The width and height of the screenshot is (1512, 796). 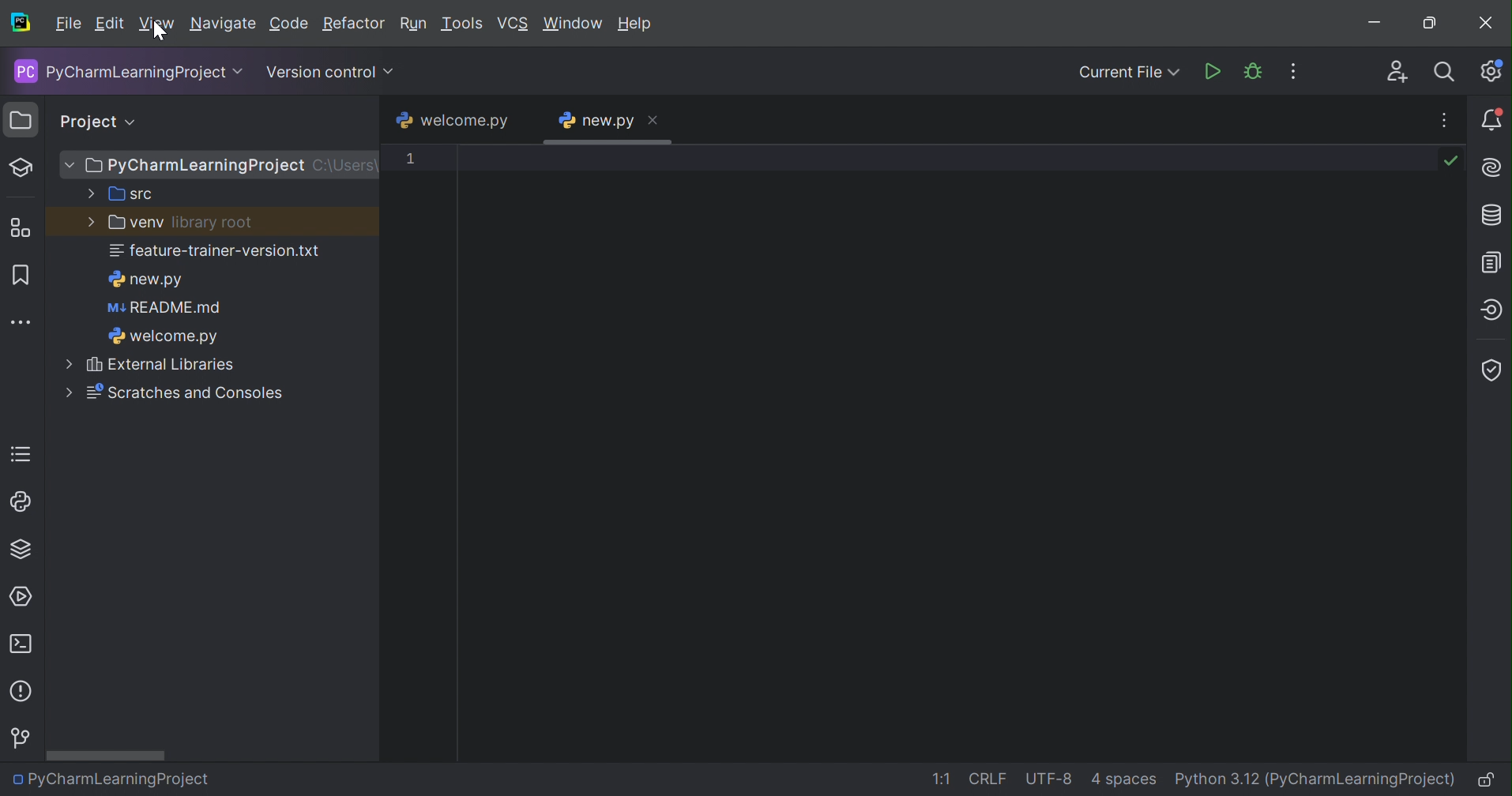 I want to click on welcome.py, so click(x=450, y=120).